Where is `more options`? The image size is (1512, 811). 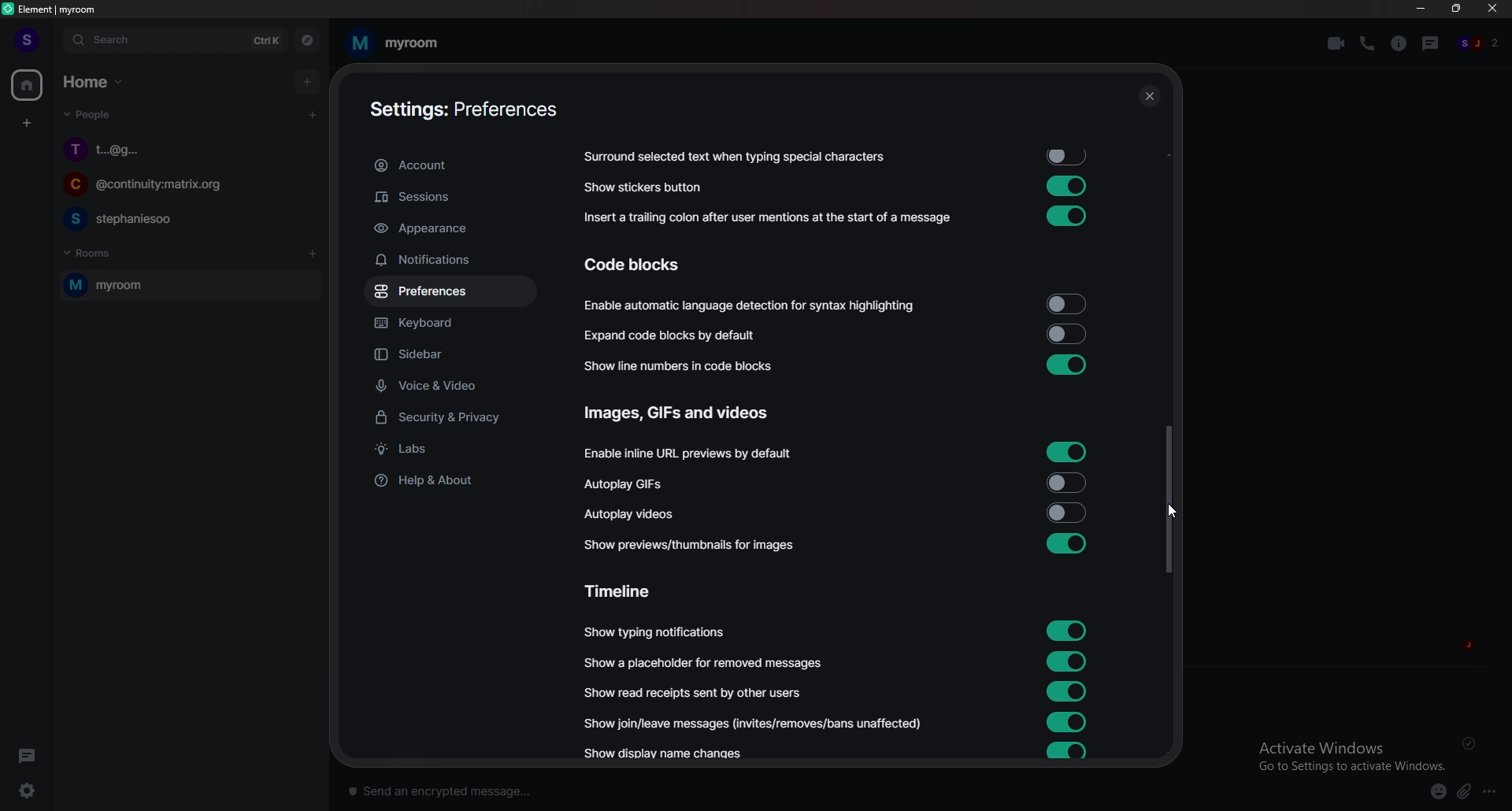 more options is located at coordinates (1494, 792).